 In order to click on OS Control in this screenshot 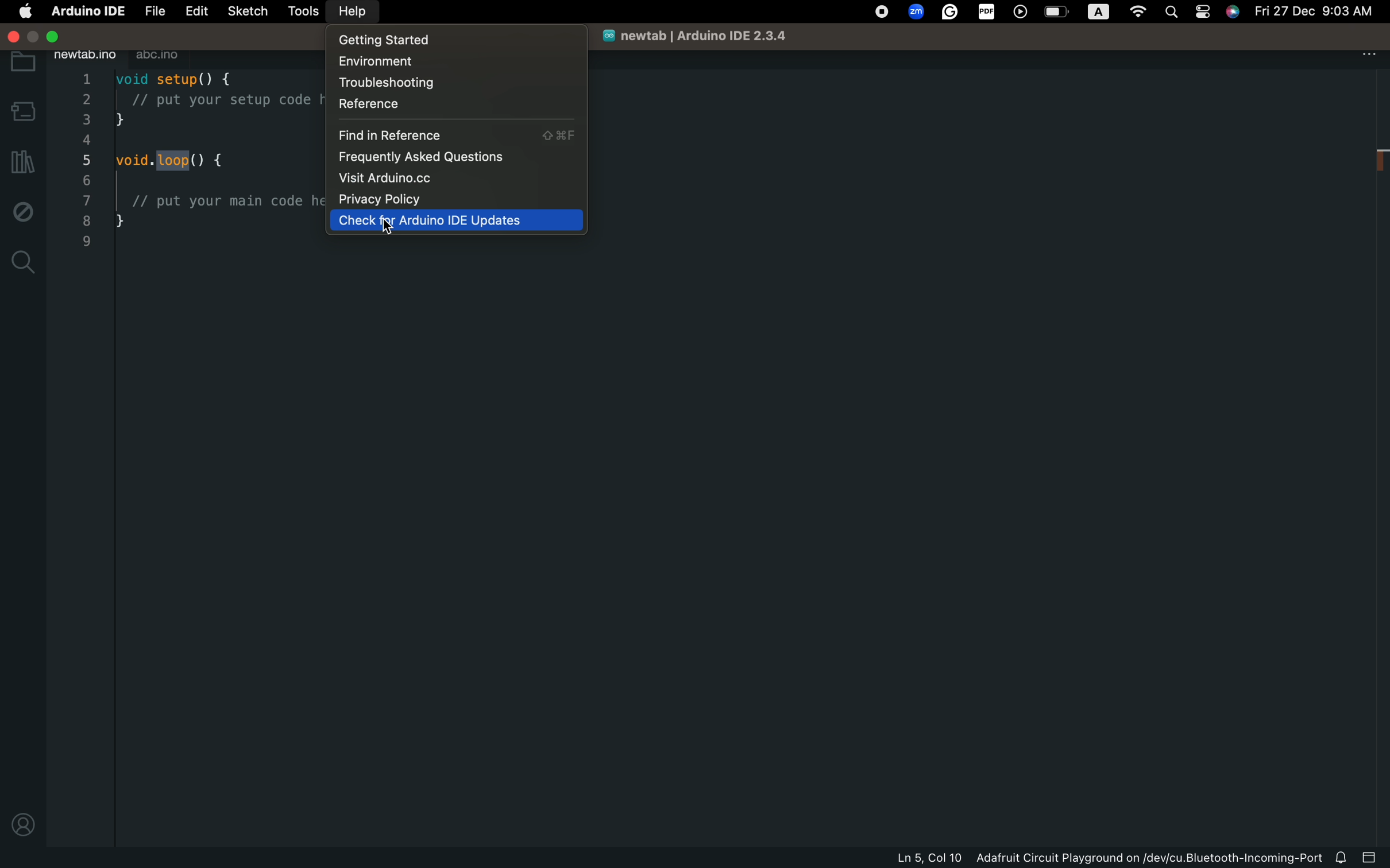, I will do `click(879, 12)`.